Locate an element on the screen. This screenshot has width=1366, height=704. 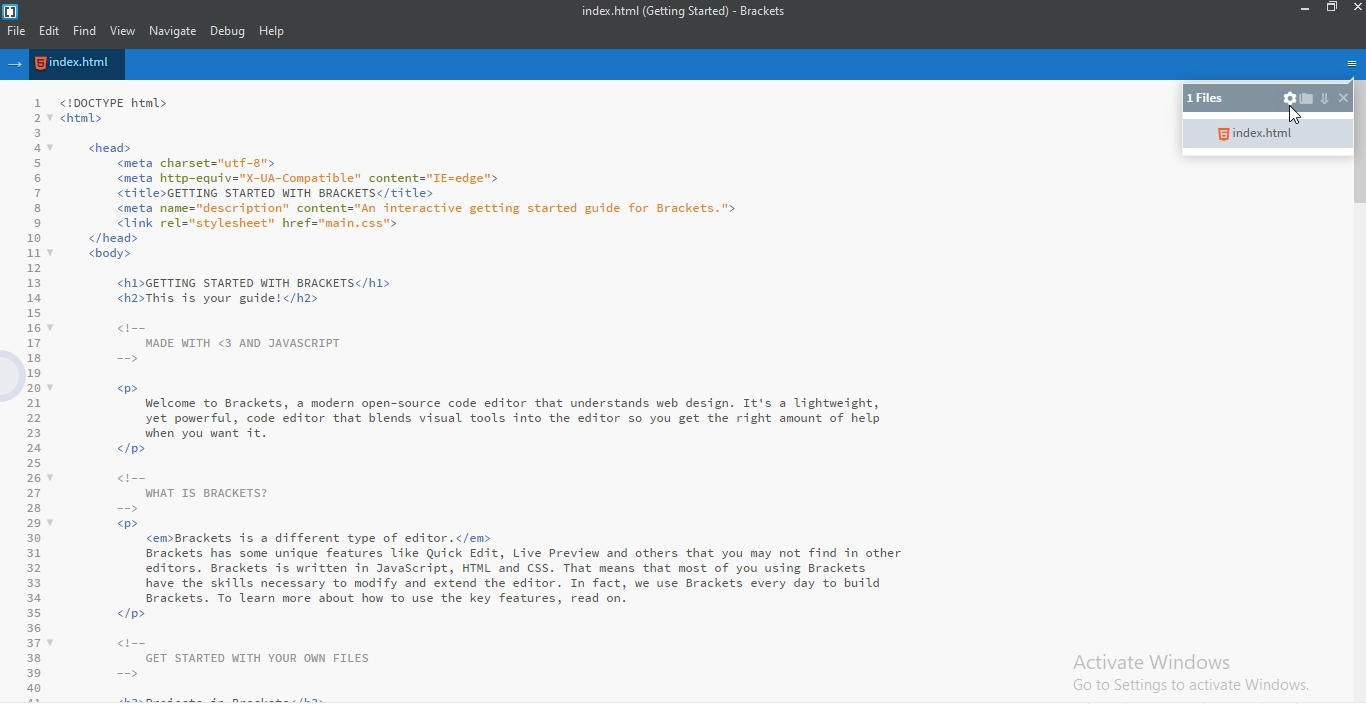
settings is located at coordinates (1289, 97).